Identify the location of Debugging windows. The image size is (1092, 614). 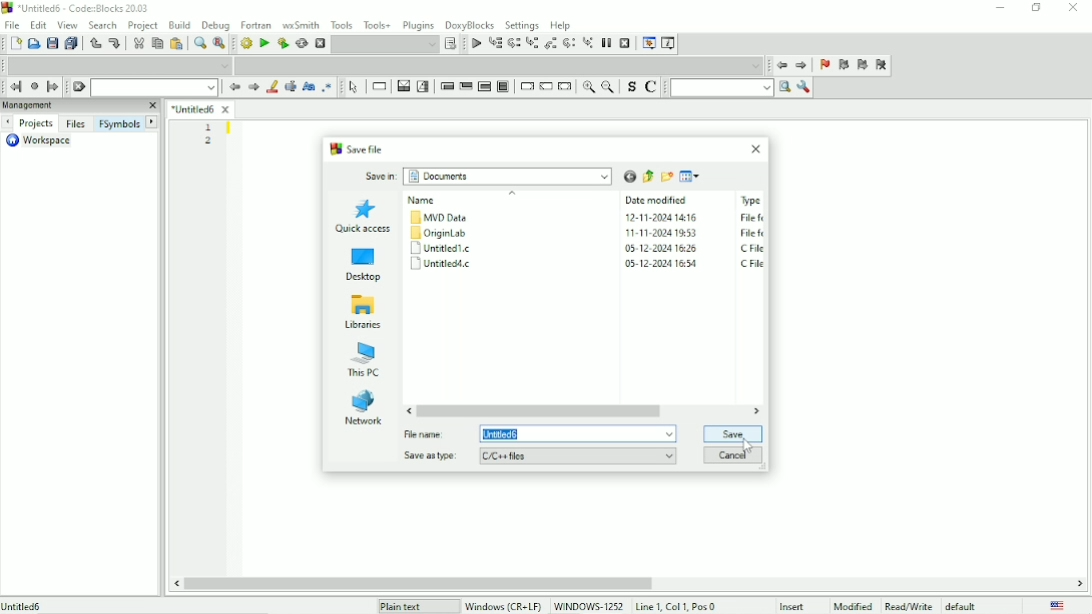
(649, 43).